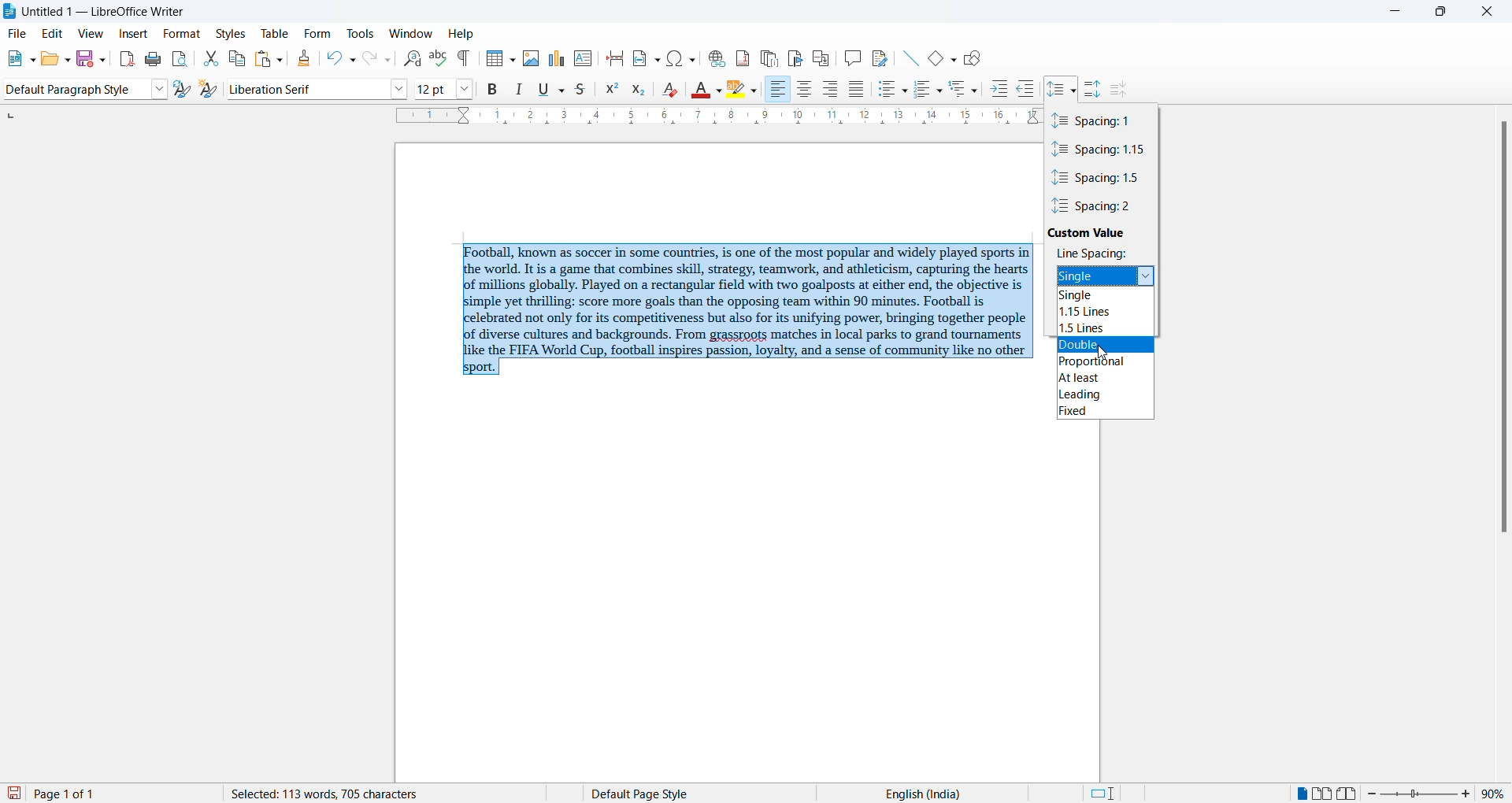 The image size is (1512, 803). I want to click on insert cross-reference, so click(824, 58).